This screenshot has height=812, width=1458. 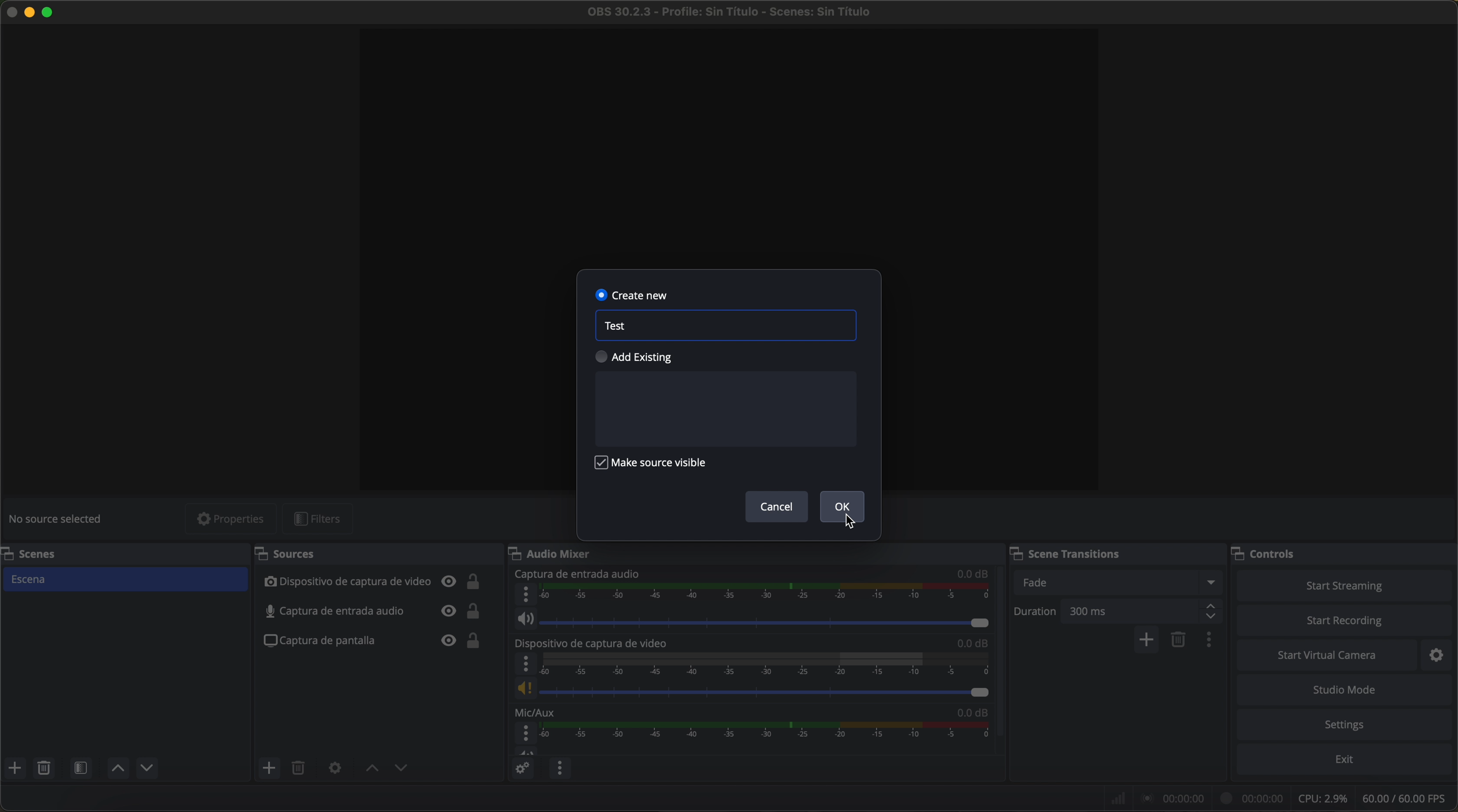 What do you see at coordinates (372, 768) in the screenshot?
I see `move source up` at bounding box center [372, 768].